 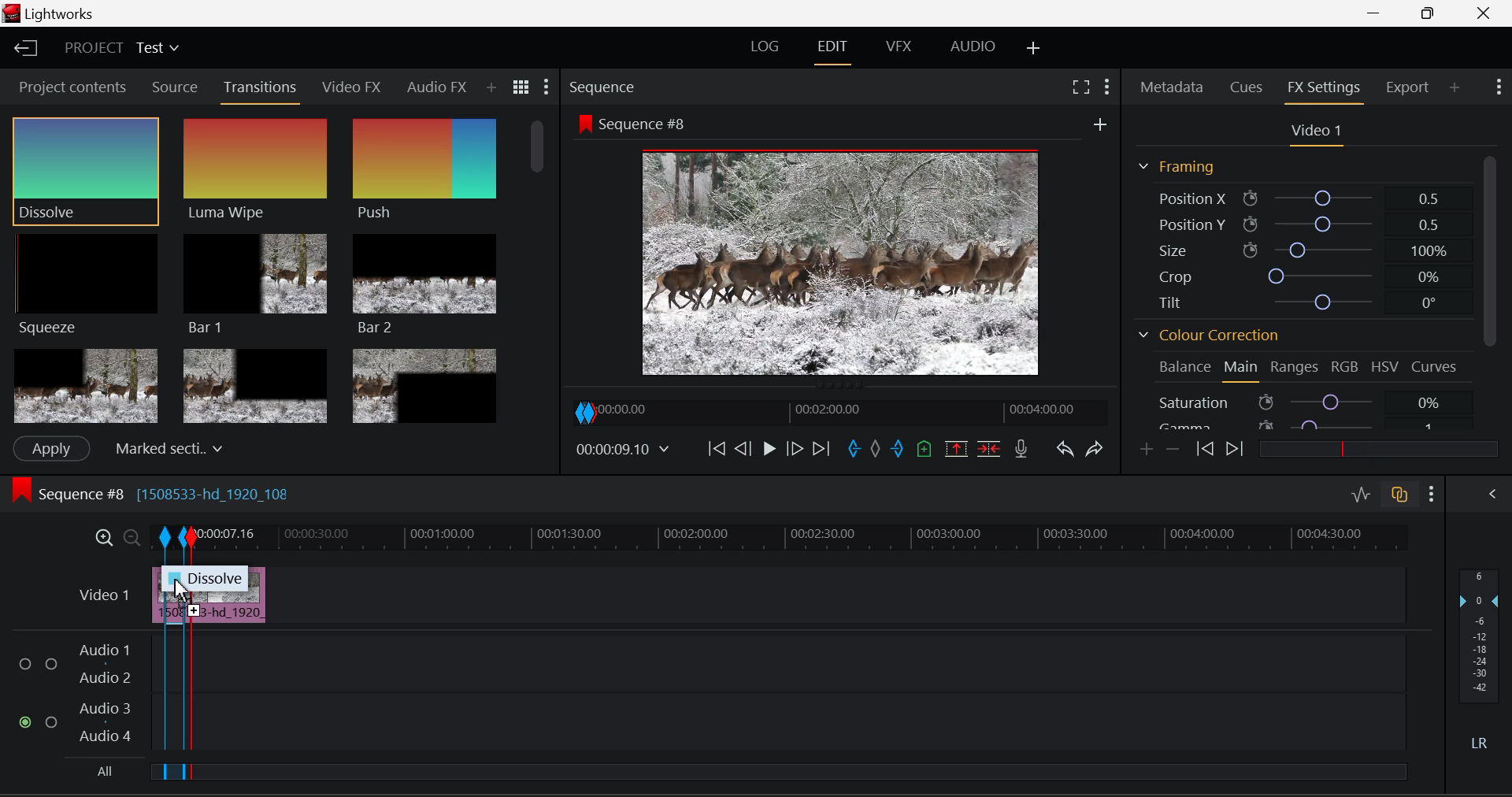 What do you see at coordinates (902, 48) in the screenshot?
I see `VFX Layout` at bounding box center [902, 48].